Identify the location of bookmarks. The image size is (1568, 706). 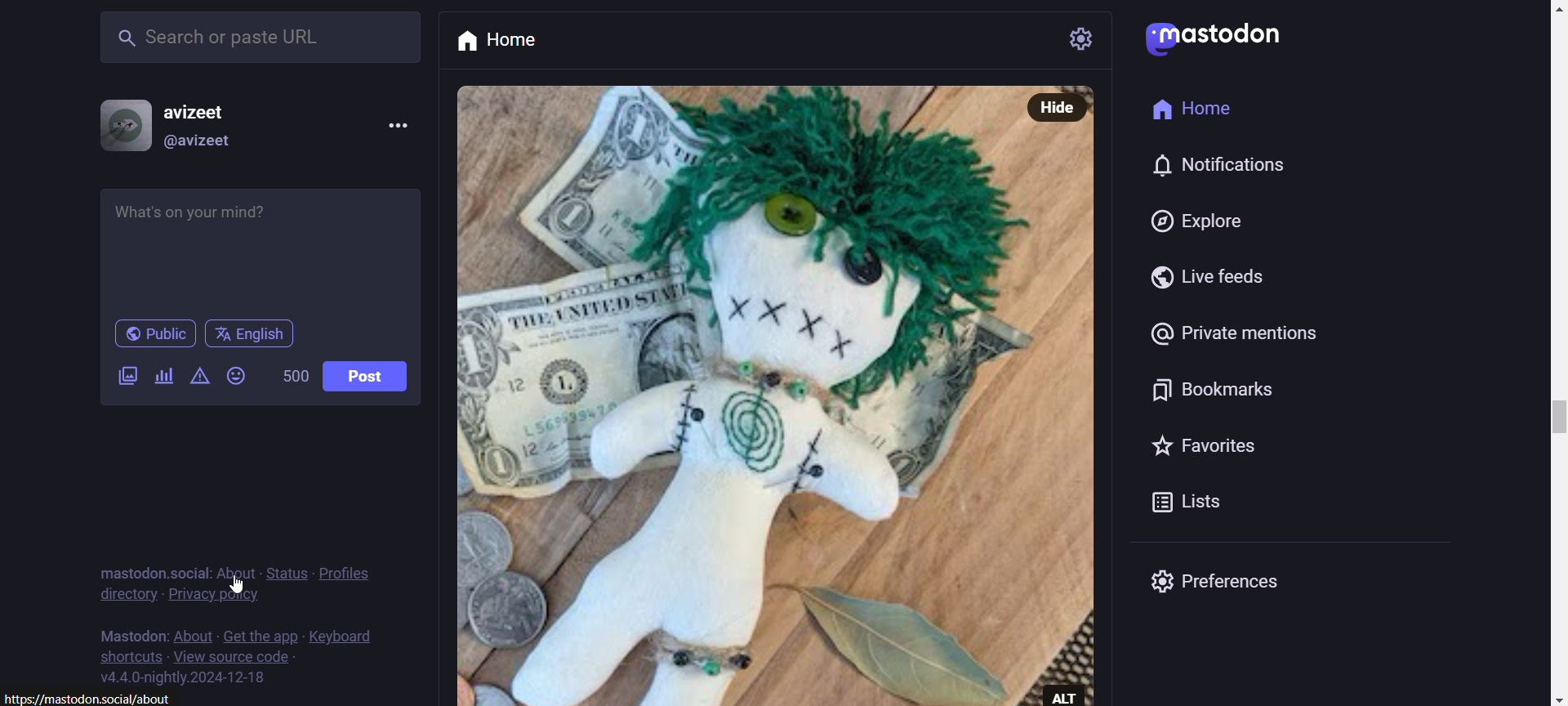
(1205, 393).